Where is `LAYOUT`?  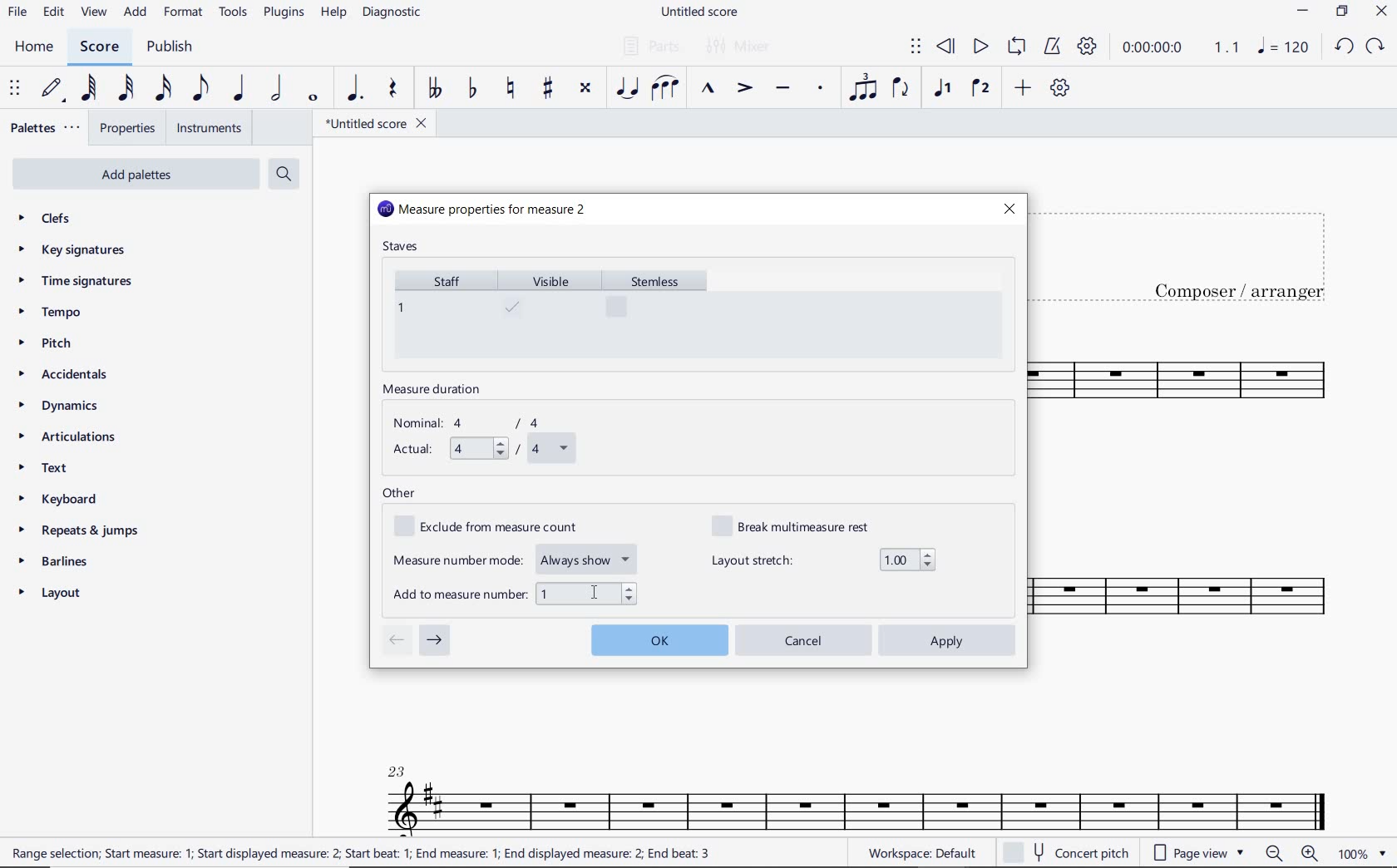
LAYOUT is located at coordinates (53, 596).